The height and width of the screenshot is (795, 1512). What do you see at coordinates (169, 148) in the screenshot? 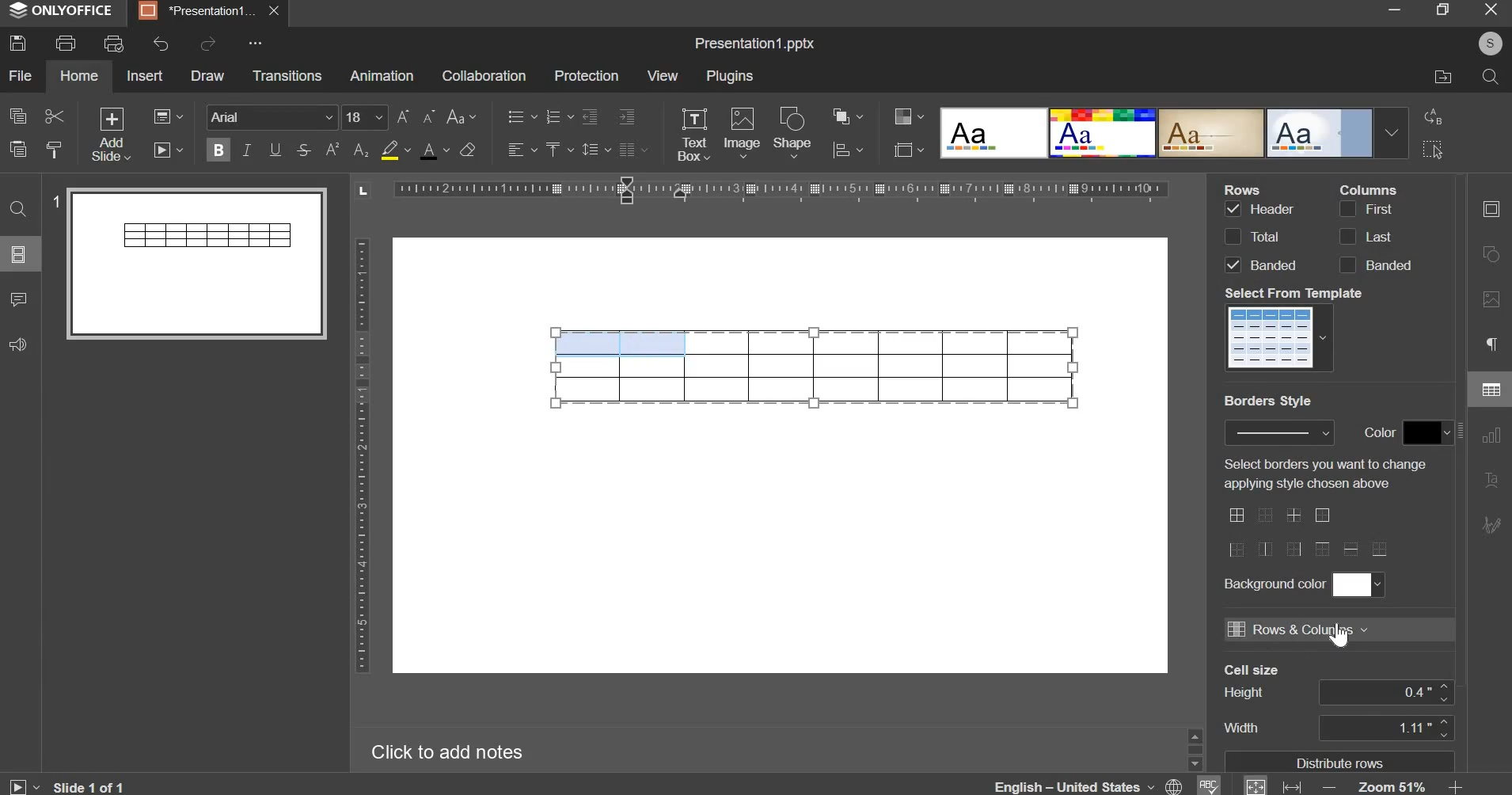
I see `slideshow` at bounding box center [169, 148].